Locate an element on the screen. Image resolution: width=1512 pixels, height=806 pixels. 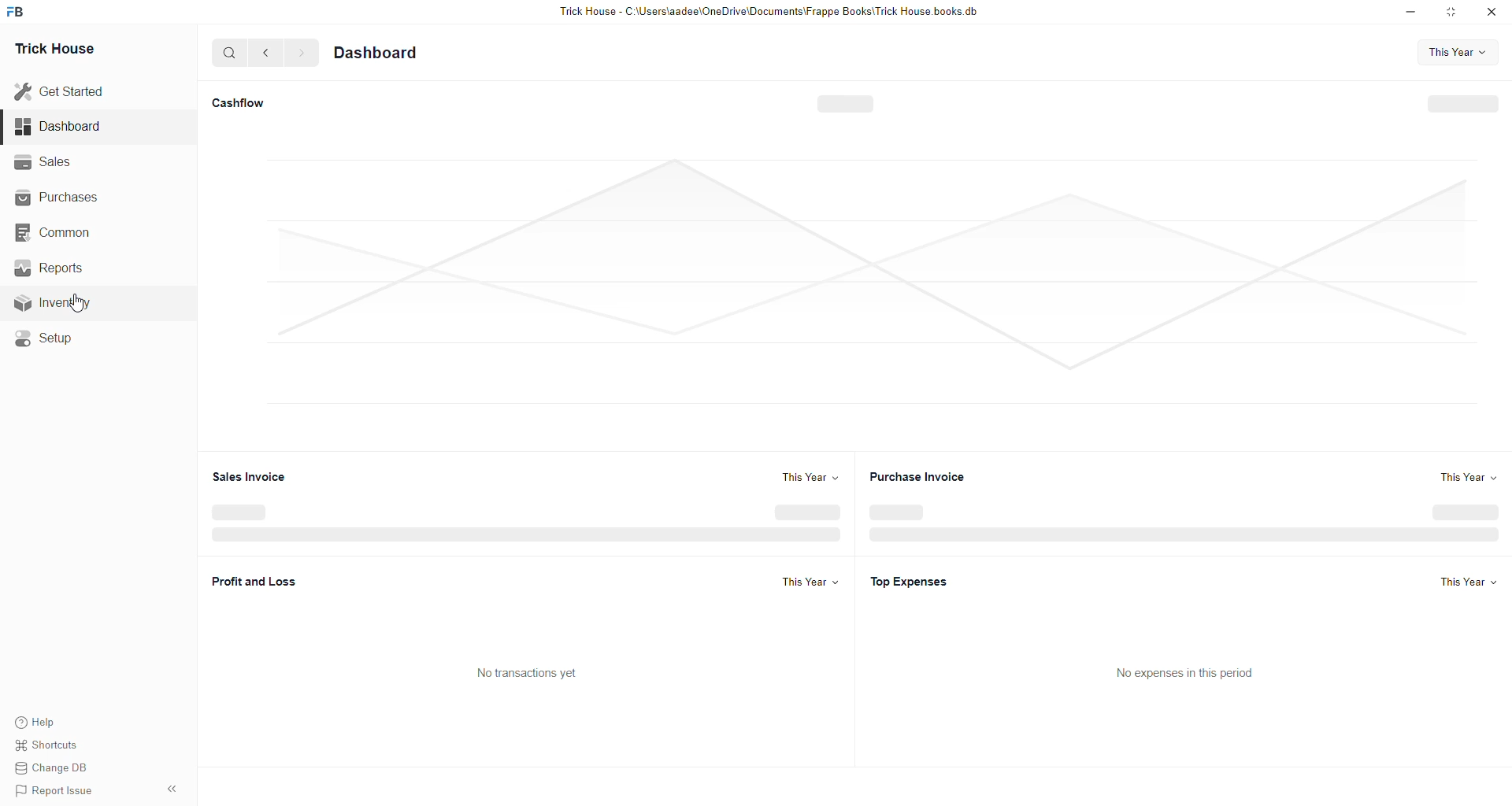
Purchases is located at coordinates (72, 195).